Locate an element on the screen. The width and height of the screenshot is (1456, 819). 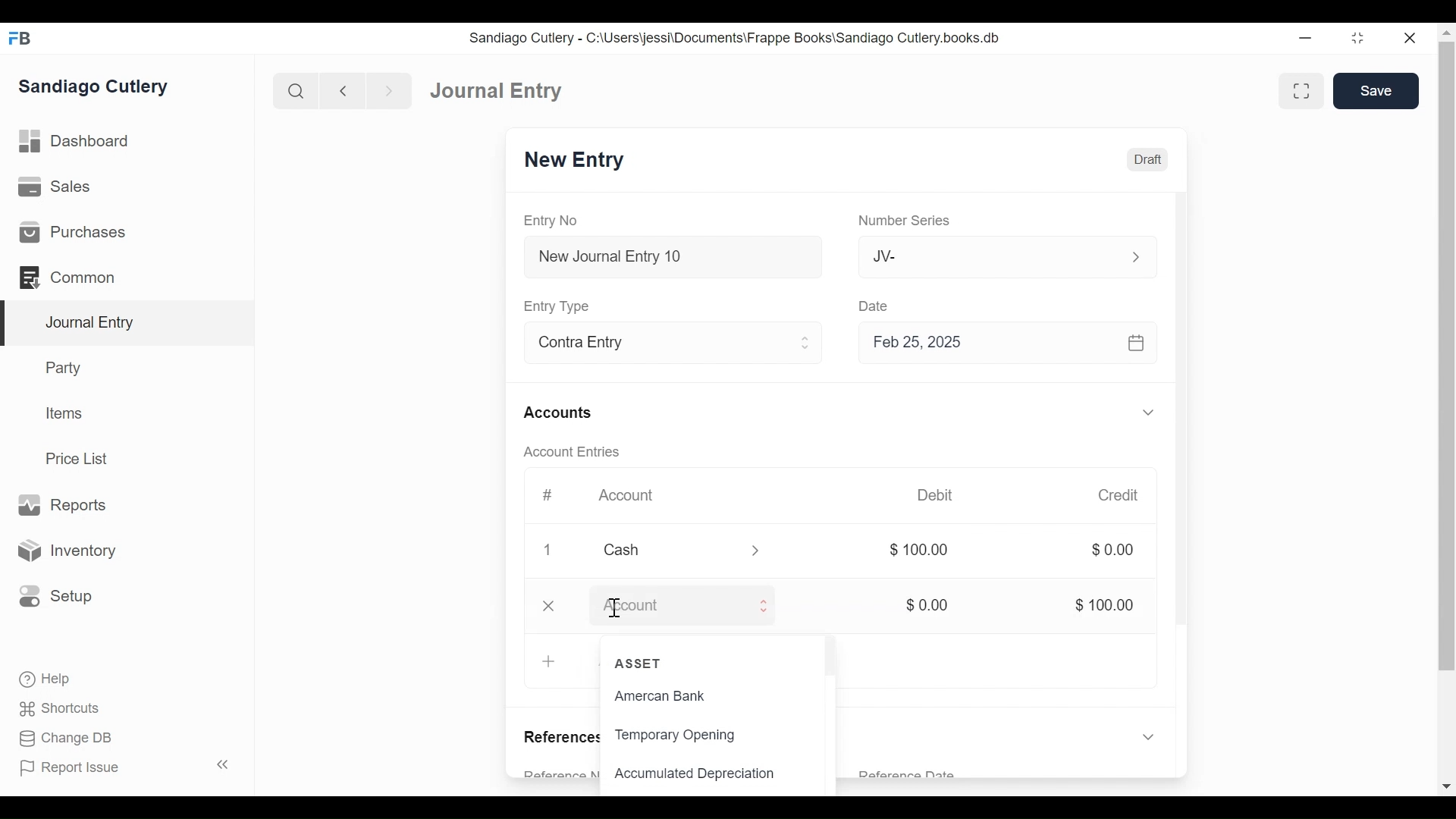
Purchases is located at coordinates (73, 233).